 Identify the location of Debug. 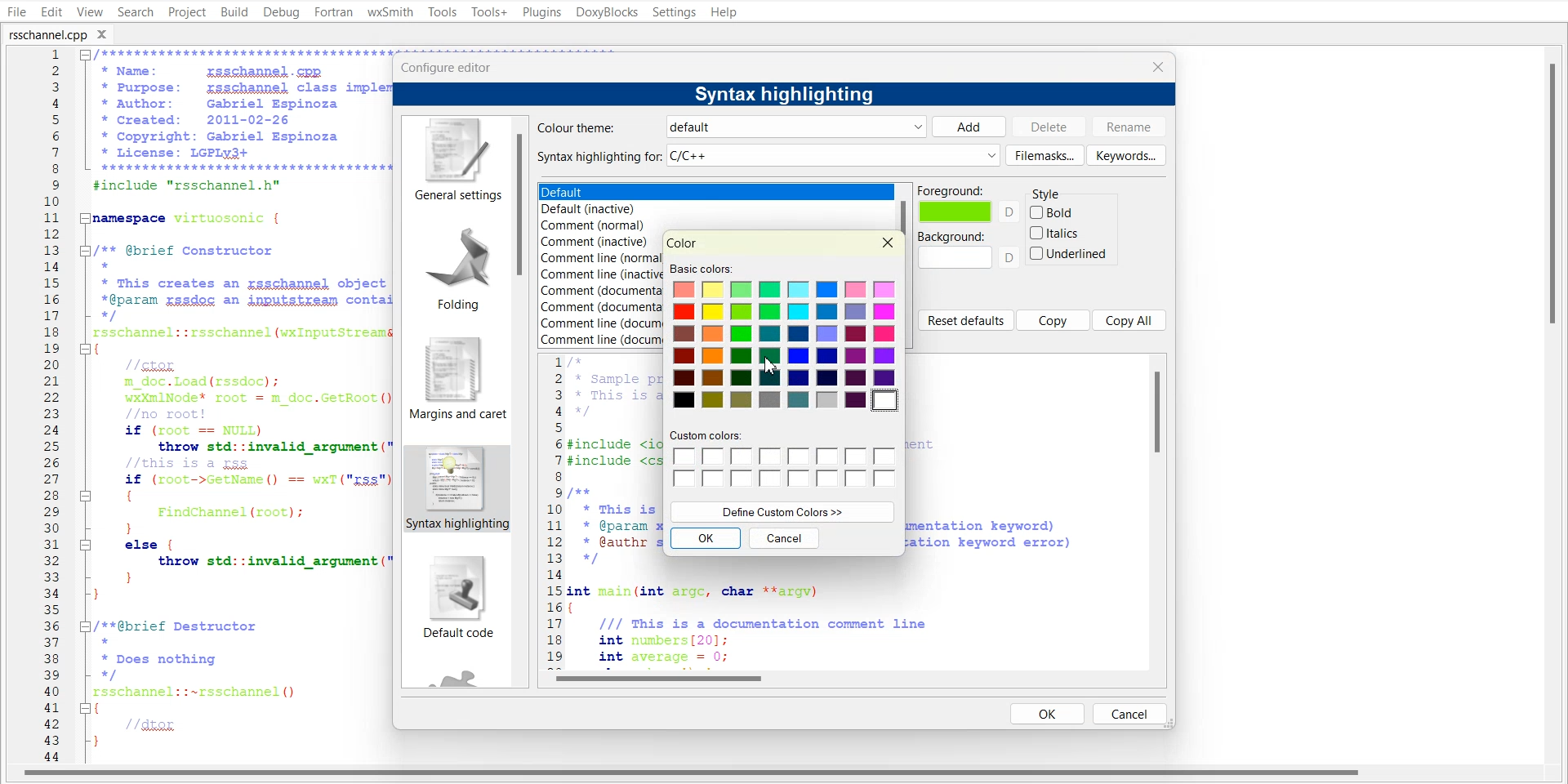
(282, 13).